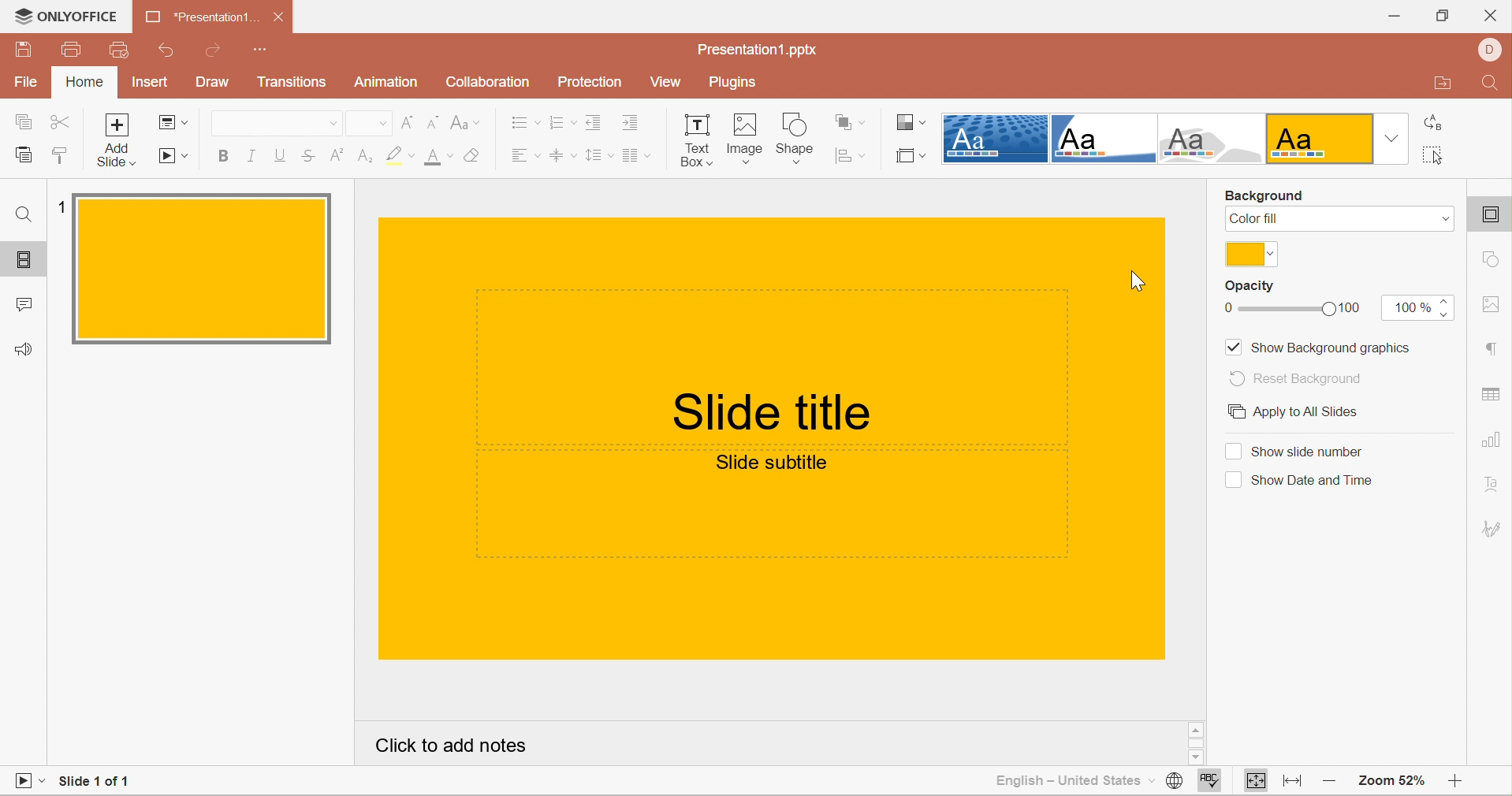  What do you see at coordinates (795, 136) in the screenshot?
I see `Shape` at bounding box center [795, 136].